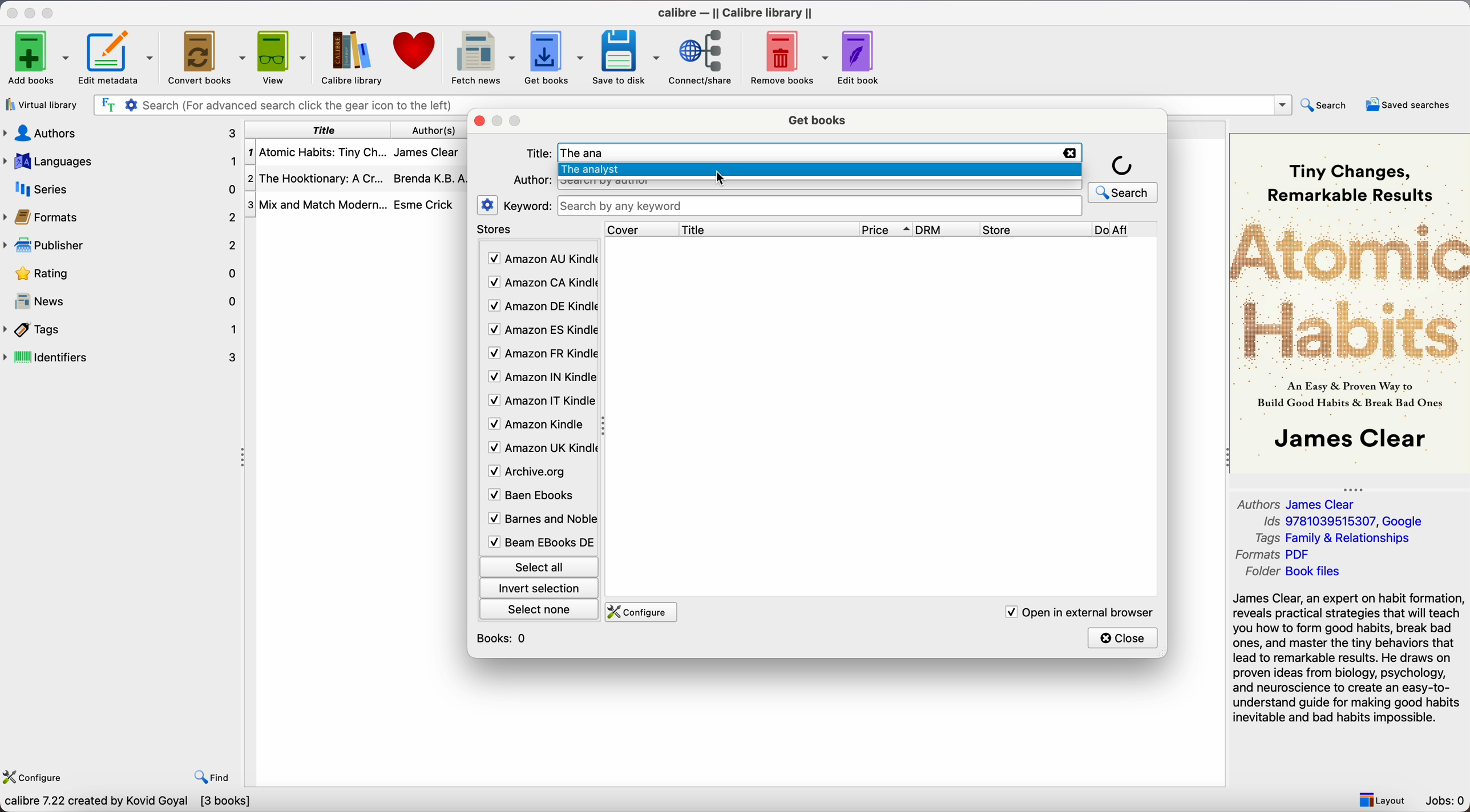 This screenshot has height=812, width=1470. I want to click on close, so click(480, 122).